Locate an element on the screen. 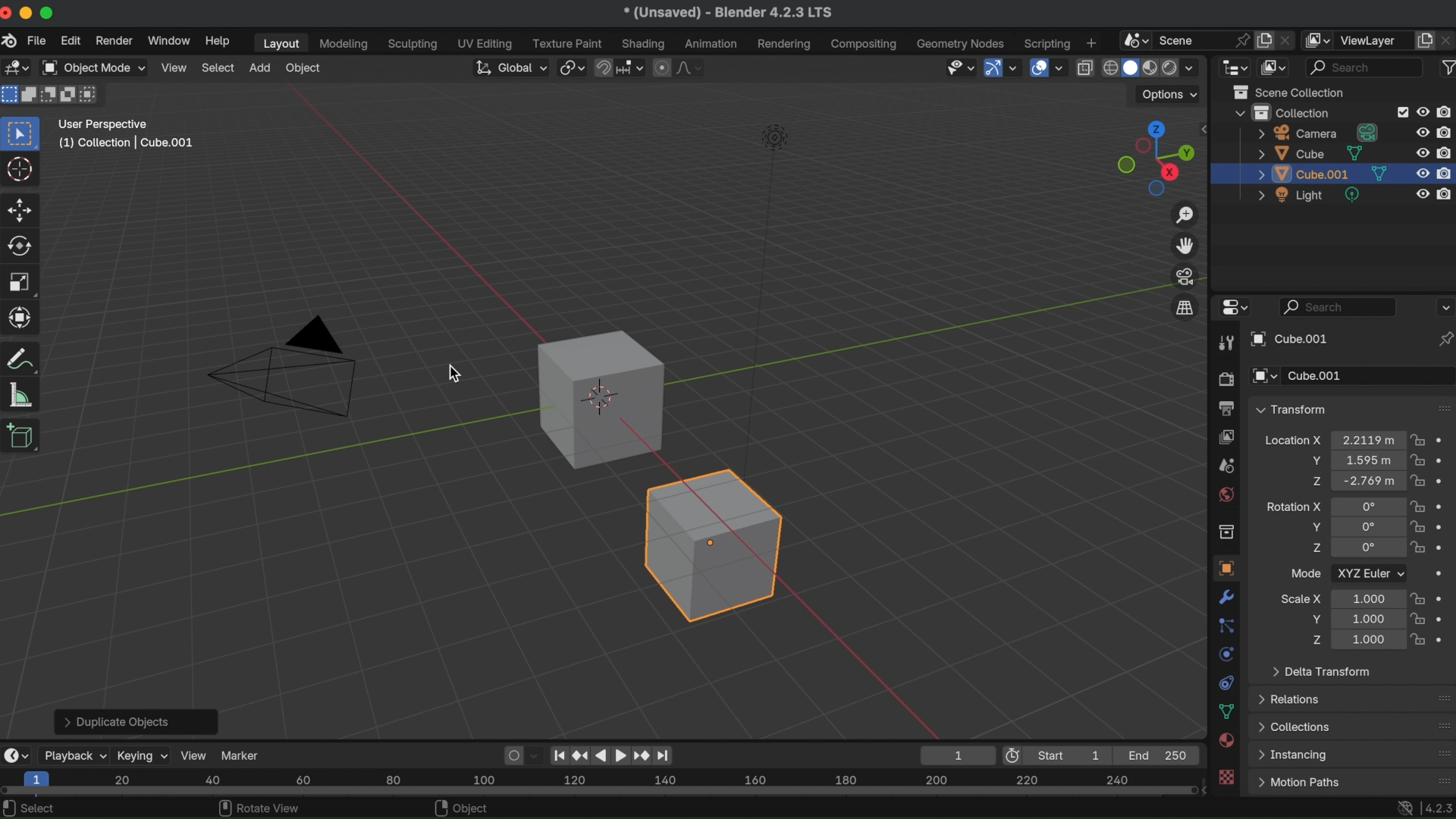  euler rotation is located at coordinates (1368, 527).